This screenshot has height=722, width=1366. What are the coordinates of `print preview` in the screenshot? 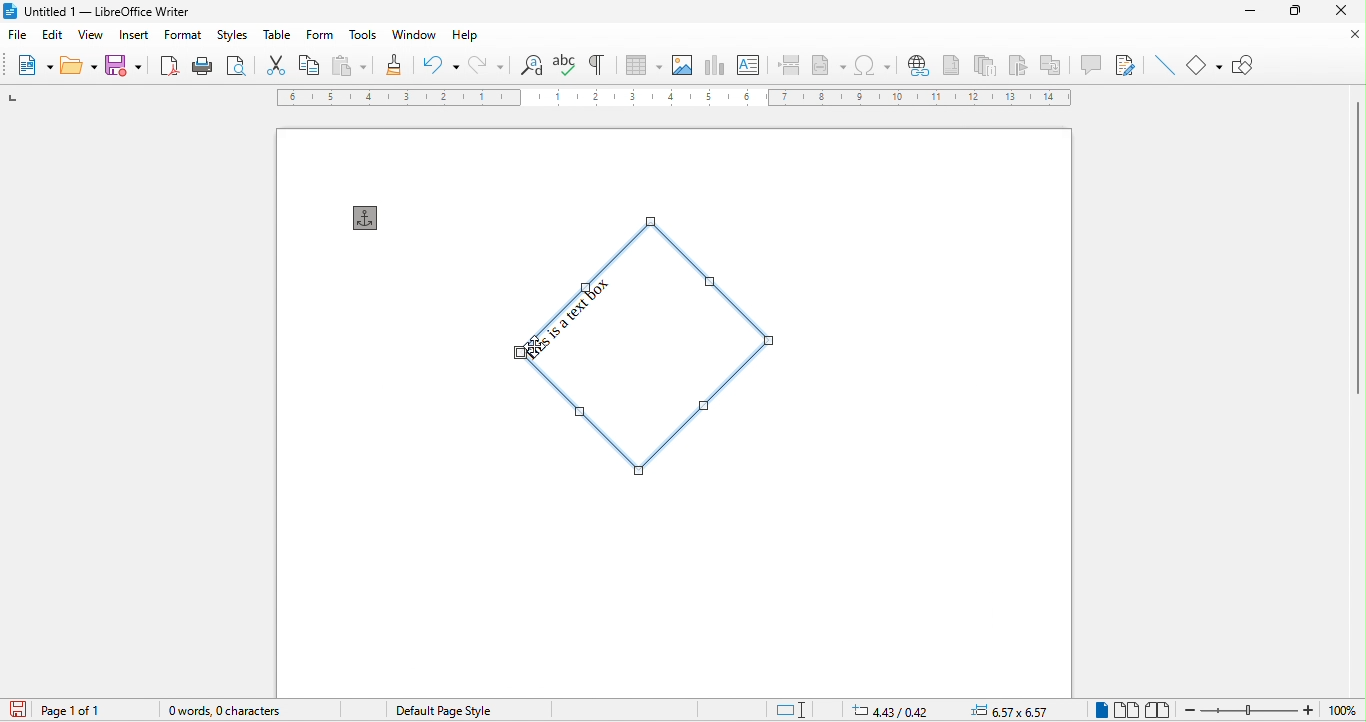 It's located at (236, 67).